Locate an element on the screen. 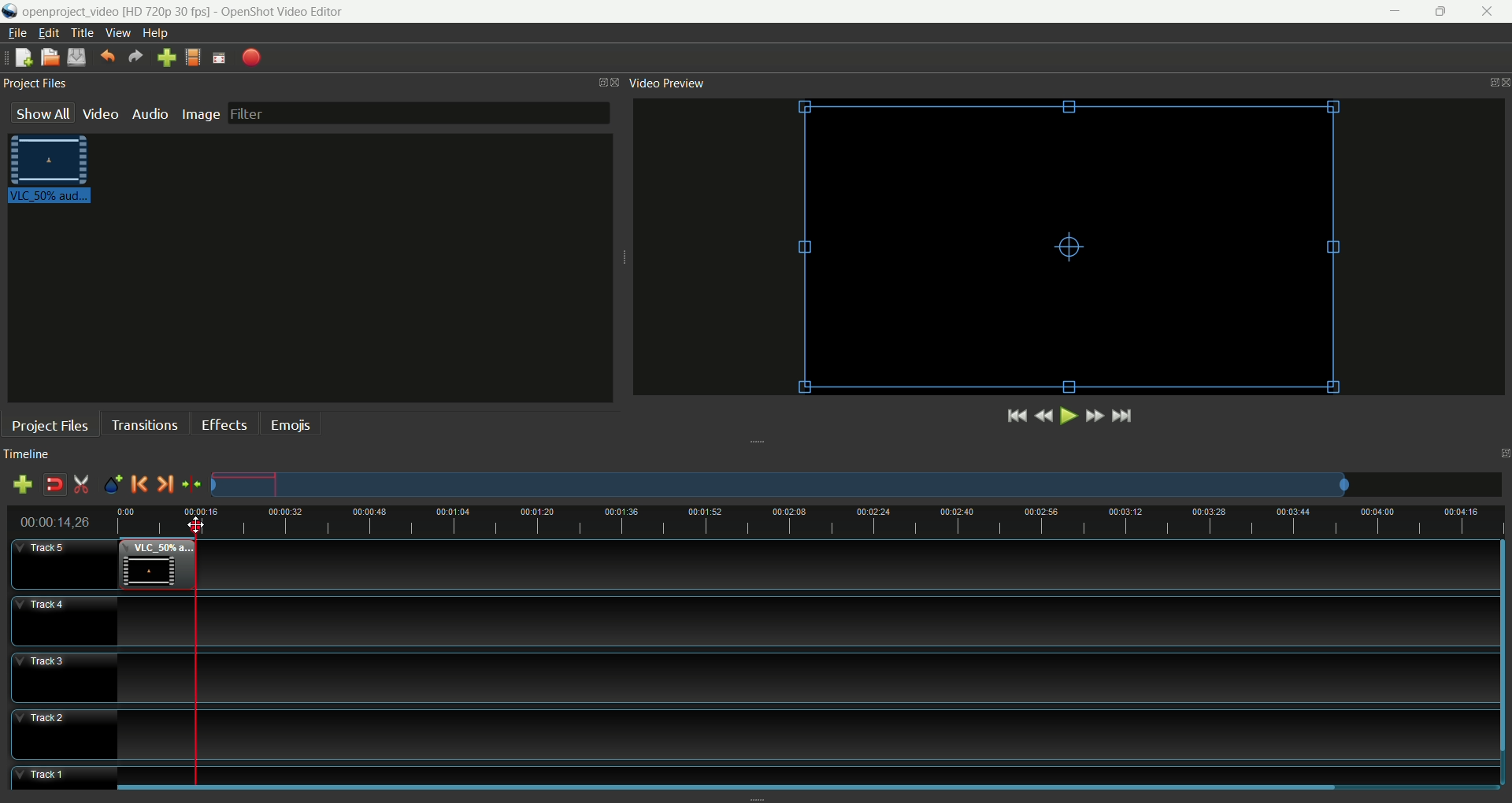  openproject_video [HD 720p 30 fps] - OpenShot Video Editor is located at coordinates (205, 10).